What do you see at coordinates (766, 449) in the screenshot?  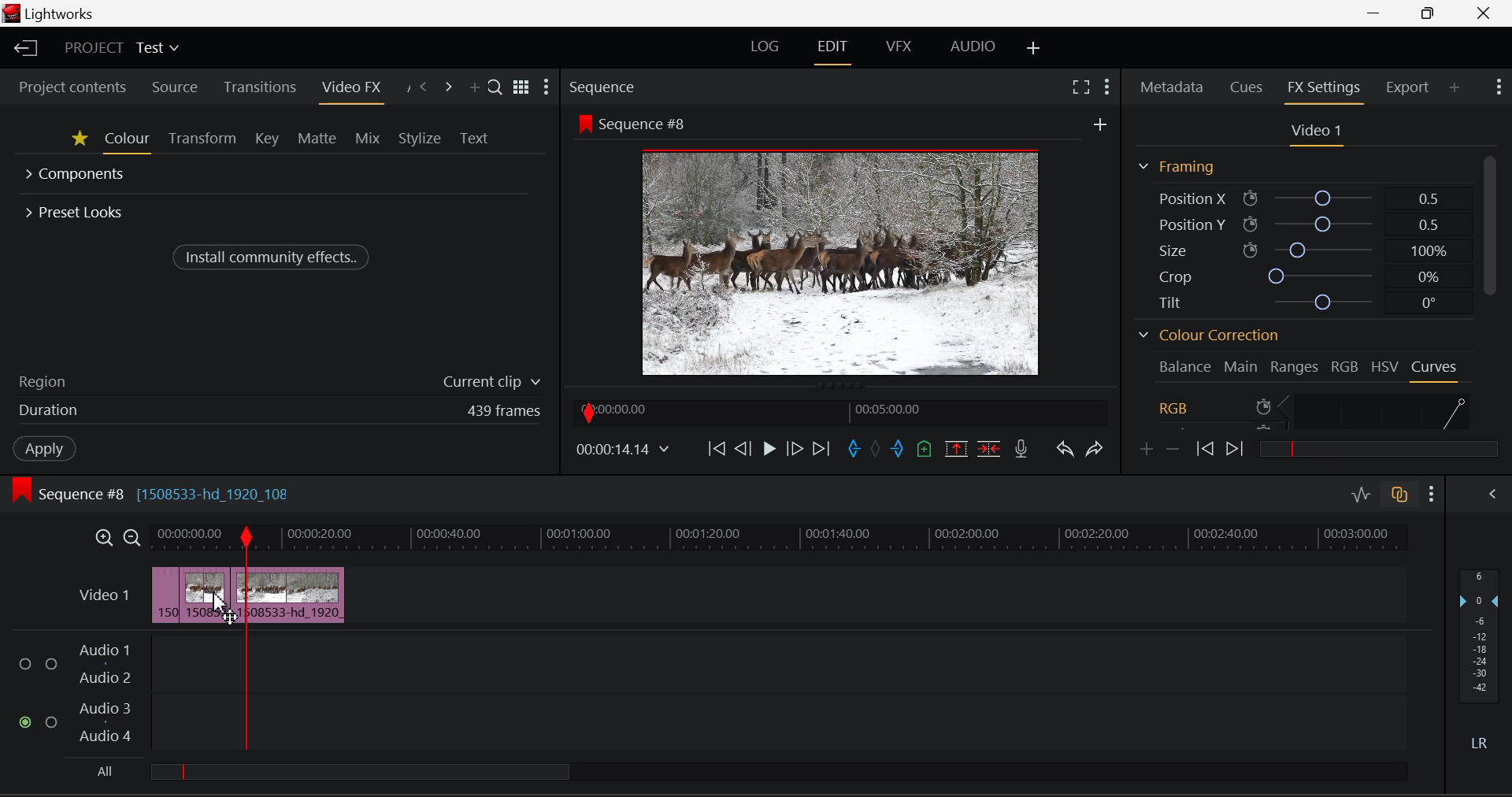 I see `Video Paused` at bounding box center [766, 449].